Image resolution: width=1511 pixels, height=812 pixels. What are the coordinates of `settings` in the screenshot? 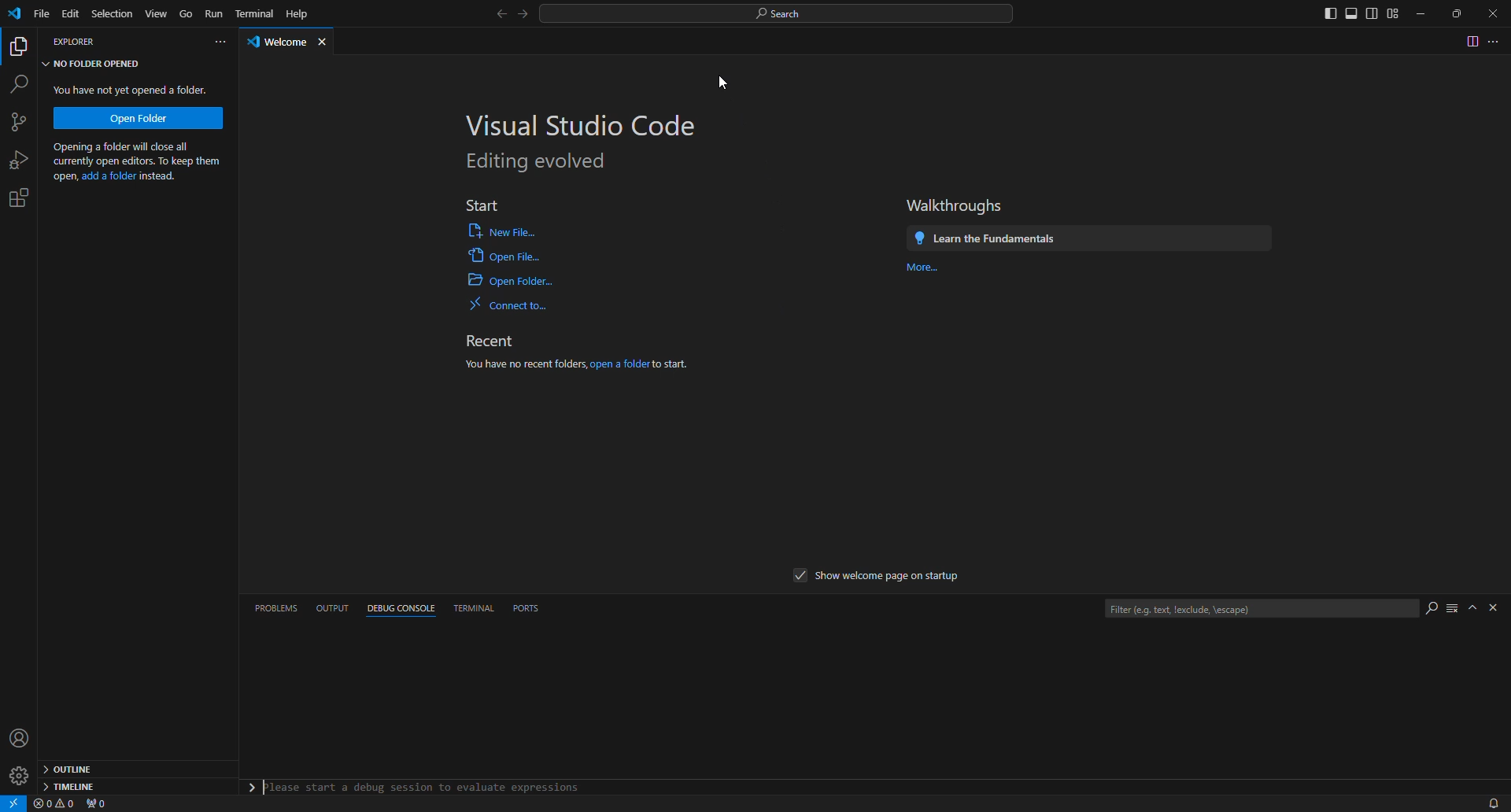 It's located at (27, 195).